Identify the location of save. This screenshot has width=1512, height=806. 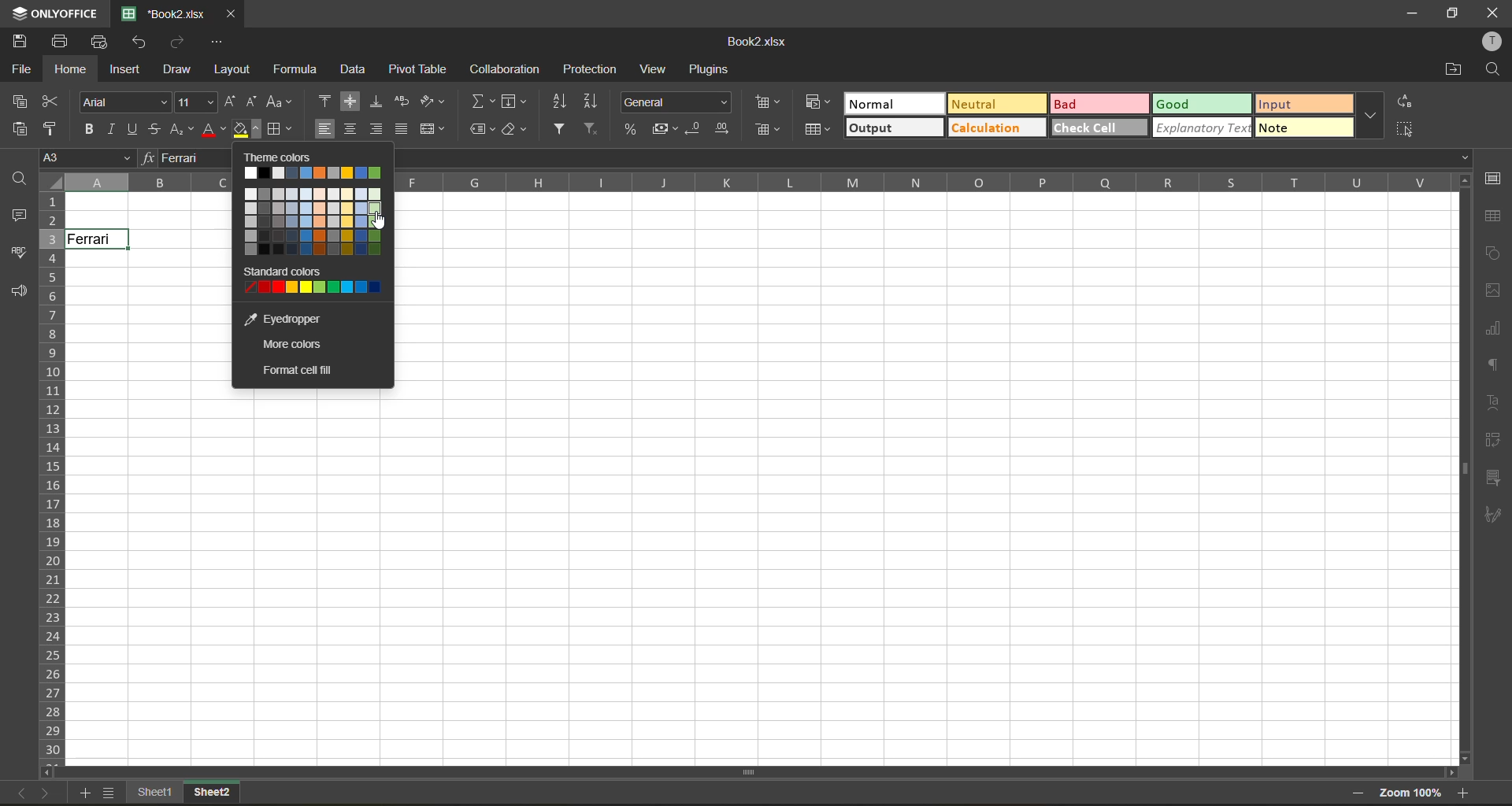
(21, 40).